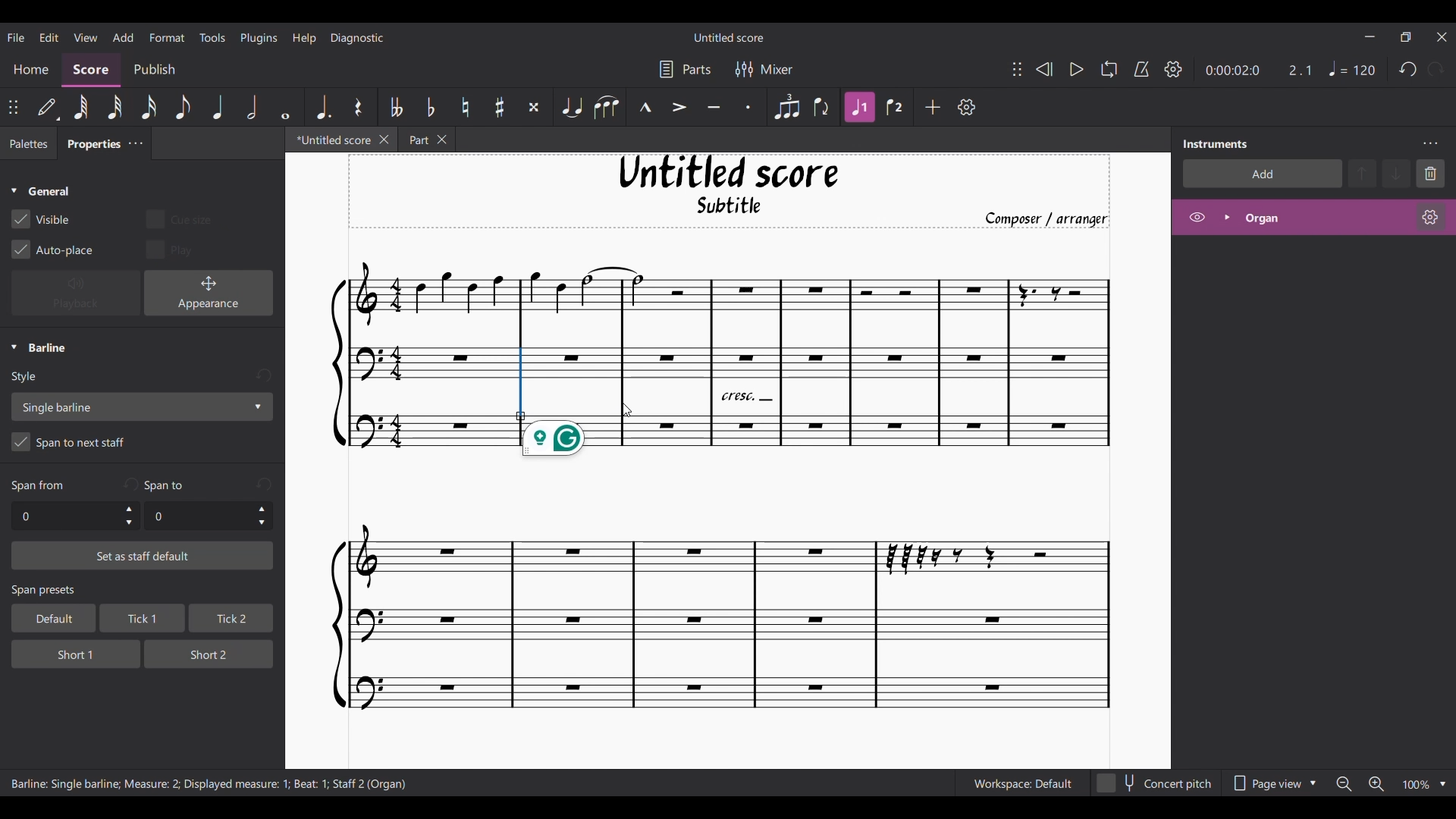  Describe the element at coordinates (967, 107) in the screenshot. I see `Customize toolbar` at that location.